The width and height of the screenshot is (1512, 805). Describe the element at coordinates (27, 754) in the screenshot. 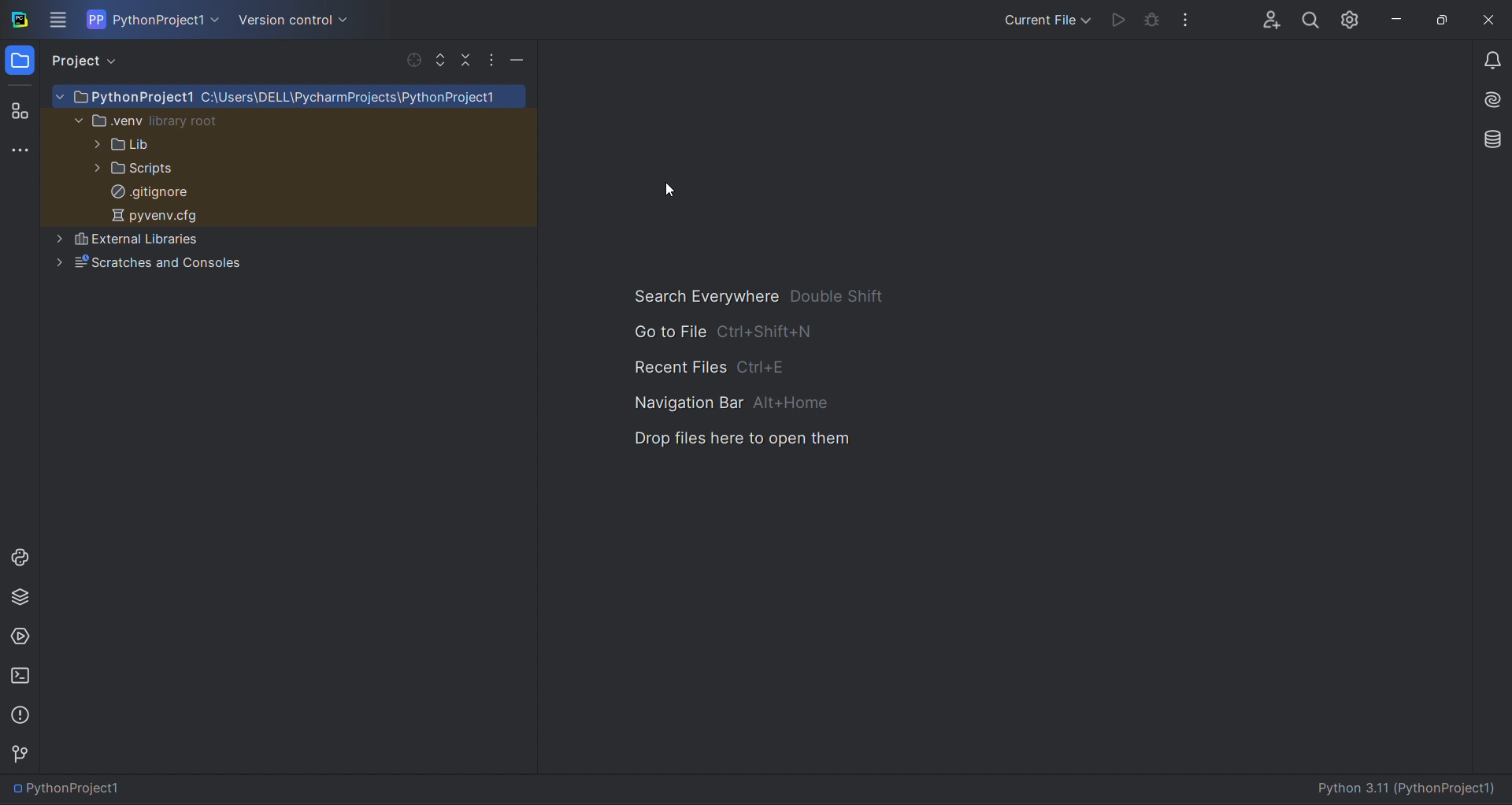

I see `version control` at that location.